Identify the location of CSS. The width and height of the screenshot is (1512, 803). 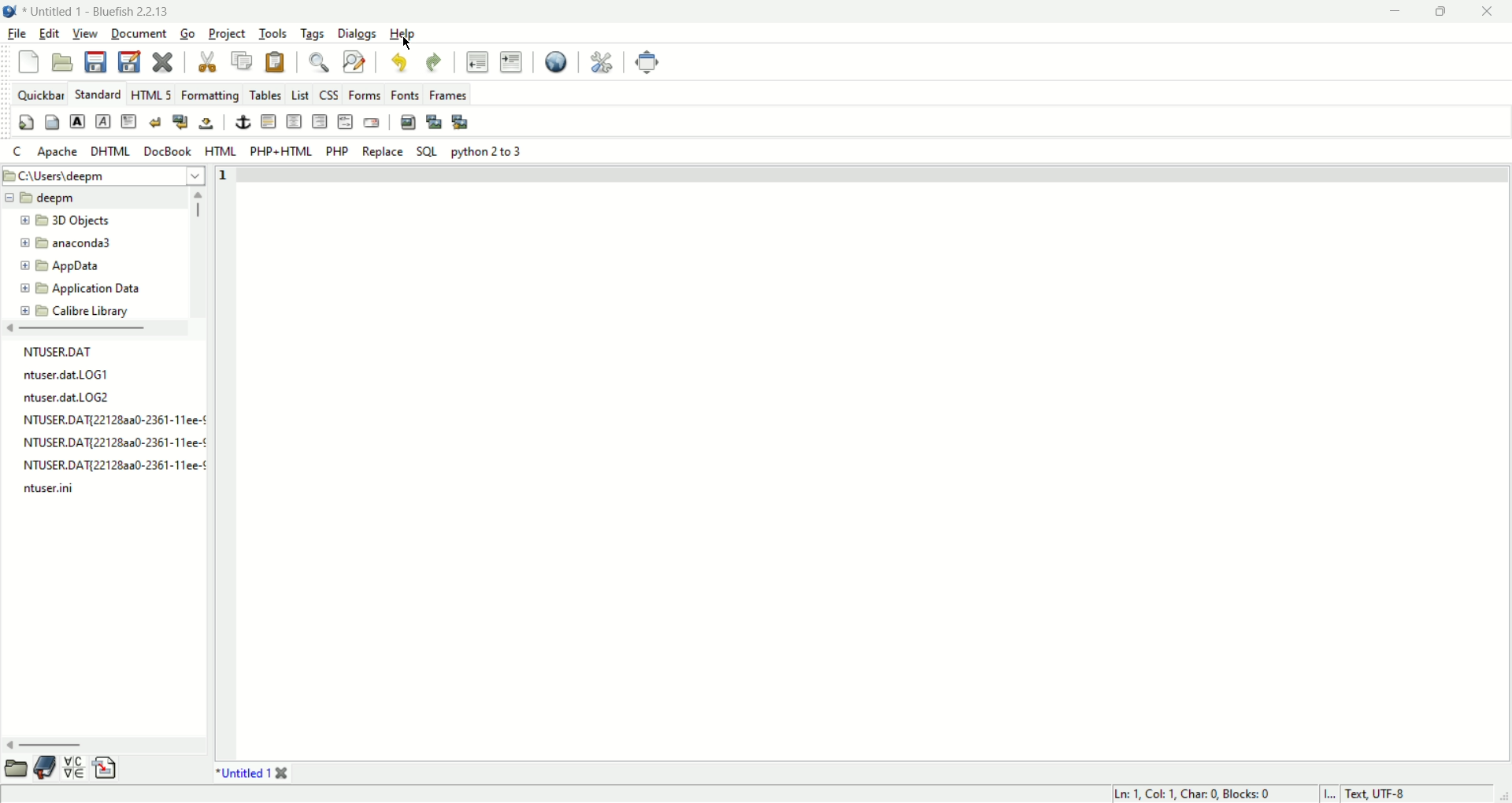
(328, 95).